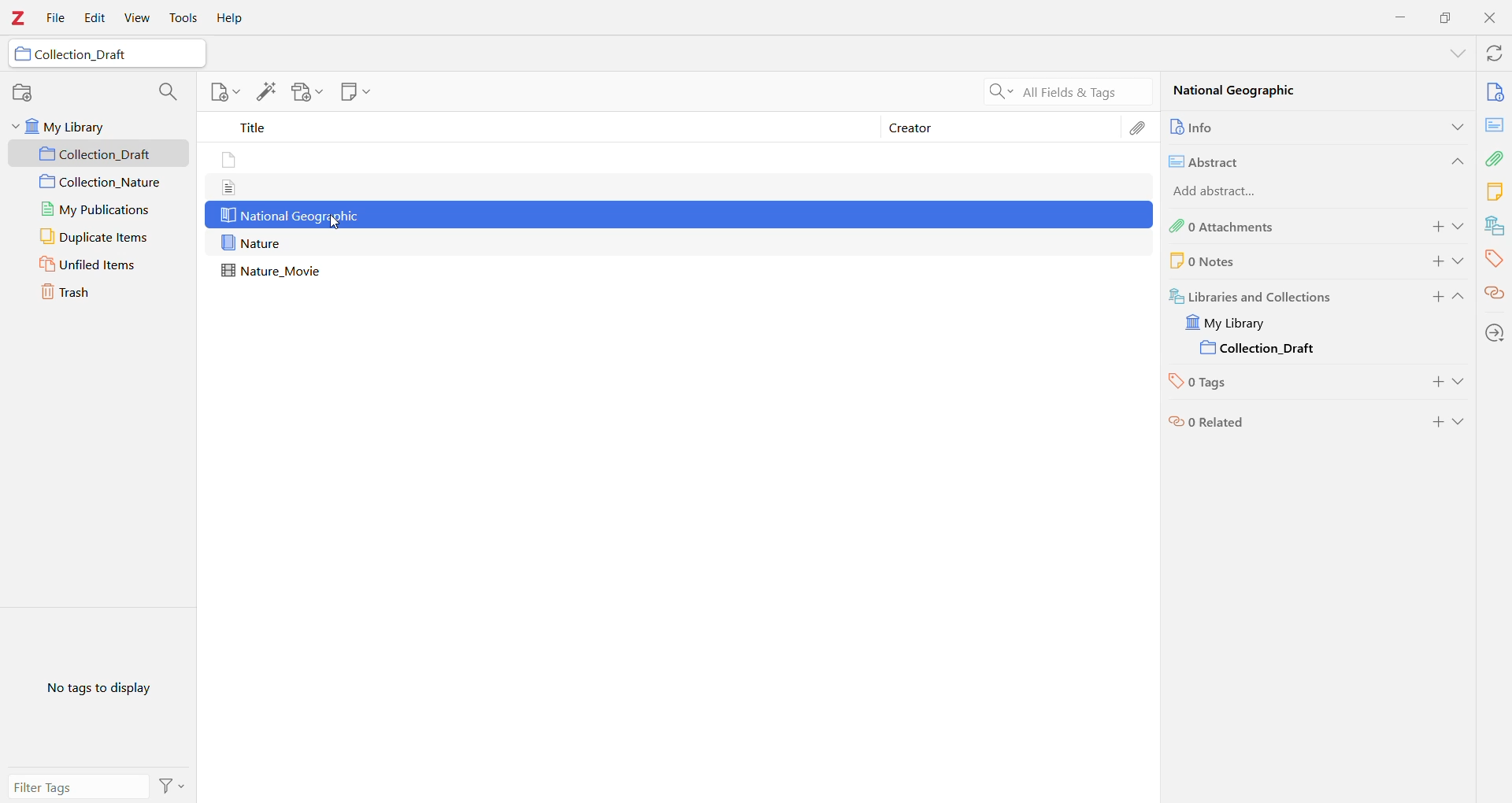 The image size is (1512, 803). What do you see at coordinates (98, 237) in the screenshot?
I see `Duplicate Items` at bounding box center [98, 237].